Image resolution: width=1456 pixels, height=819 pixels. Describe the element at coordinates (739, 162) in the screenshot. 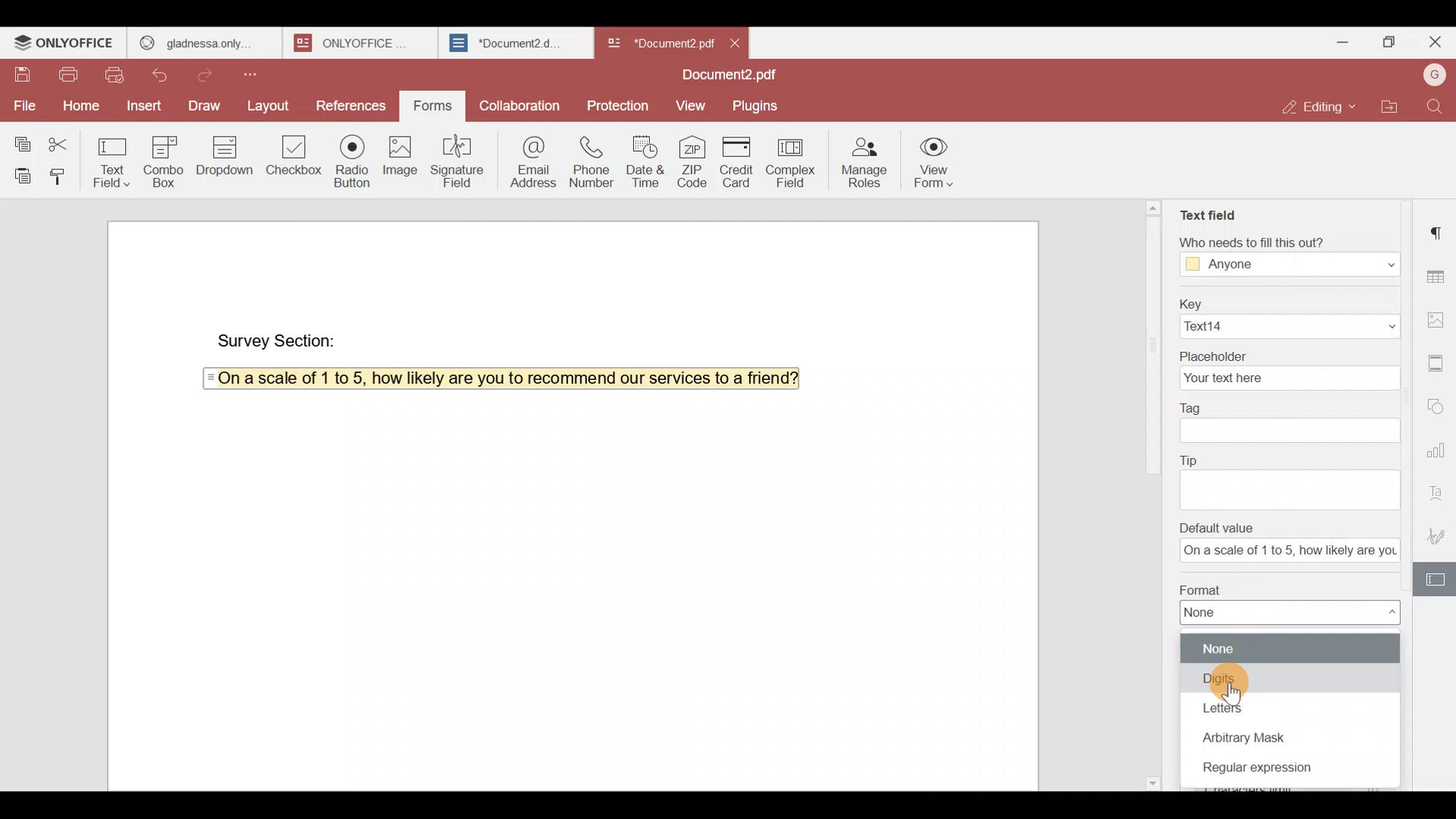

I see `Credit card` at that location.